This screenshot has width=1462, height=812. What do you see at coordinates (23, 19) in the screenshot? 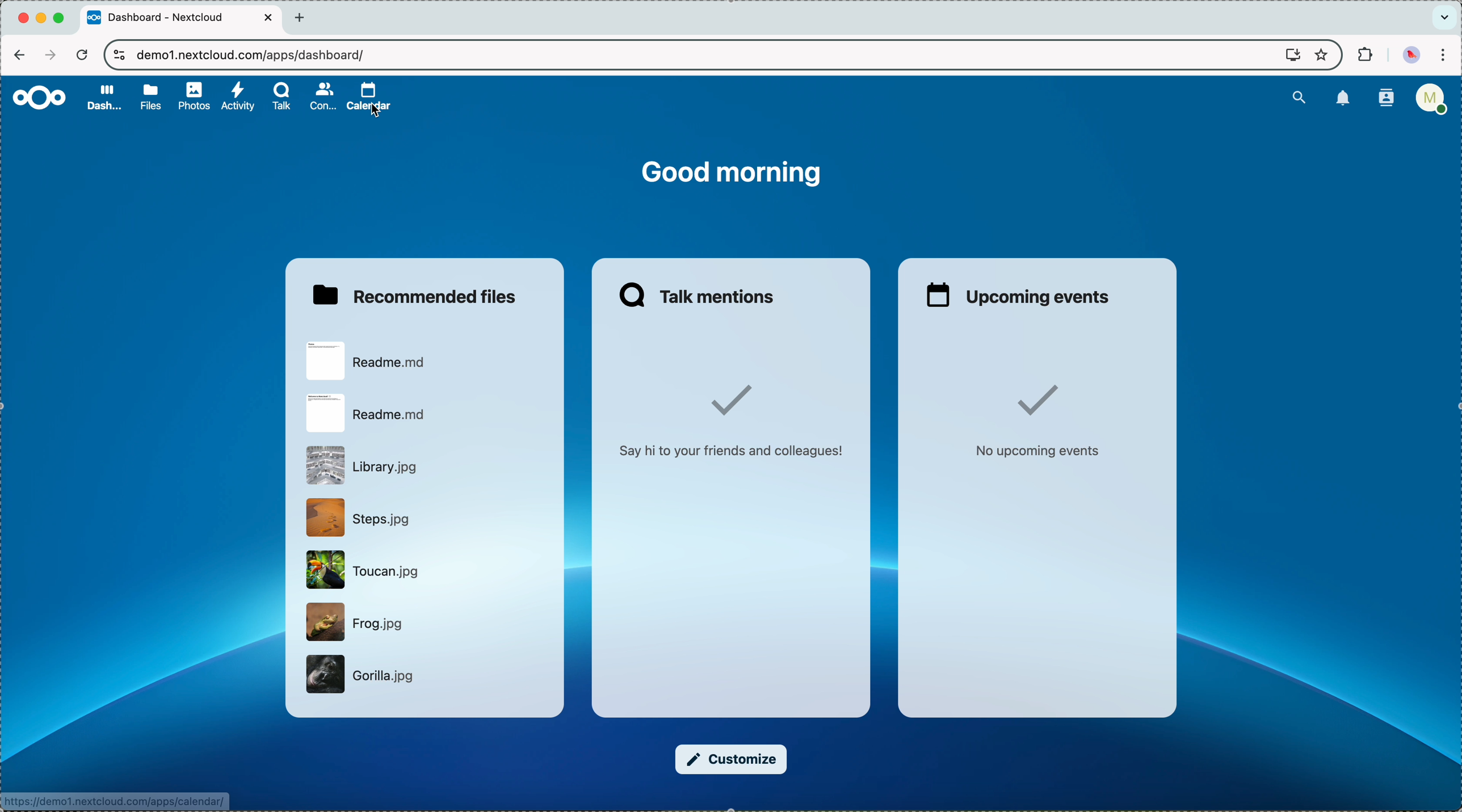
I see `close Chrome` at bounding box center [23, 19].